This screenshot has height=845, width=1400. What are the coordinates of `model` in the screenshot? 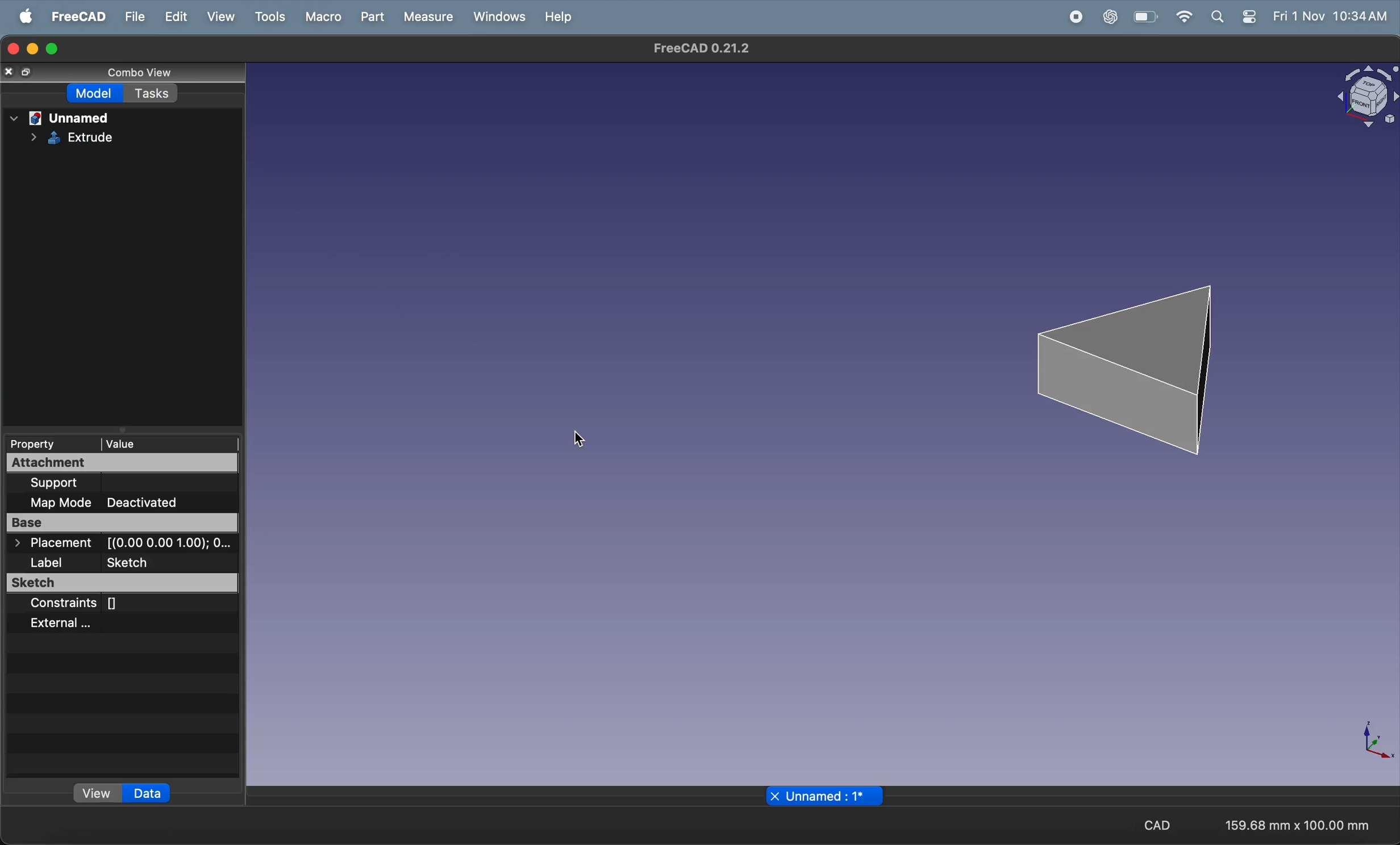 It's located at (97, 93).